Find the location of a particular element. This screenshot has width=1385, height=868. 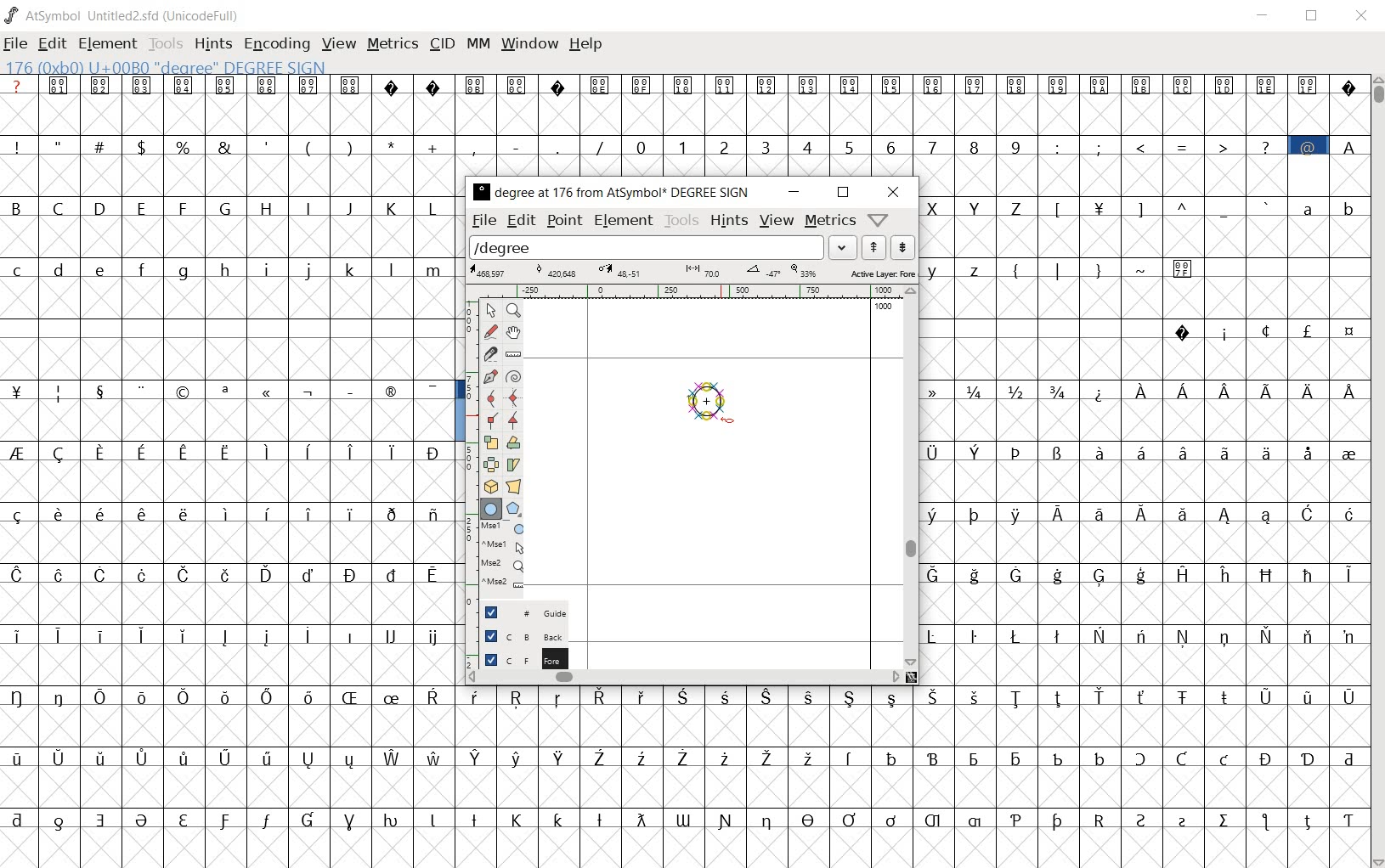

 is located at coordinates (1148, 481).